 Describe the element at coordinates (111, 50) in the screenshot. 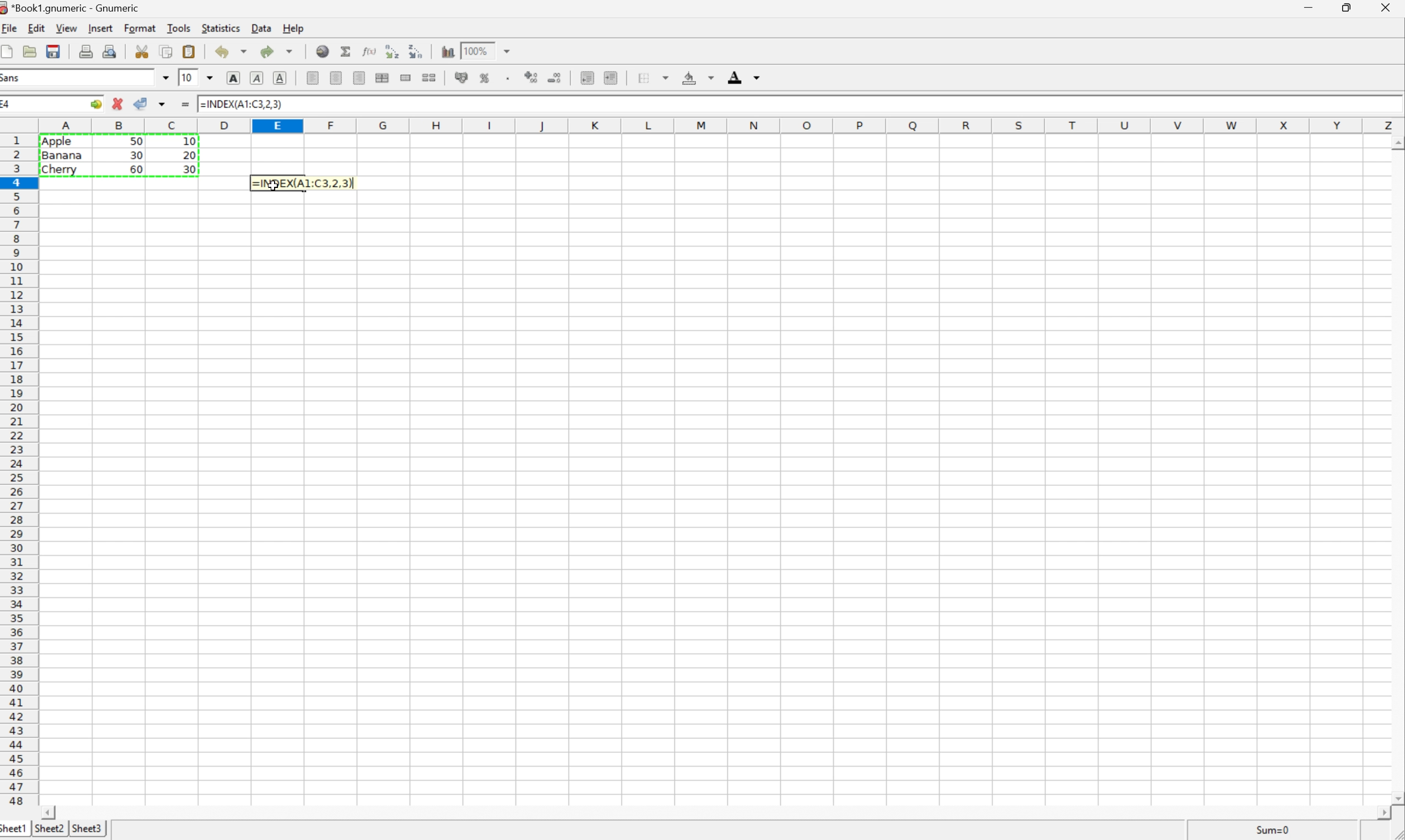

I see `print preview` at that location.